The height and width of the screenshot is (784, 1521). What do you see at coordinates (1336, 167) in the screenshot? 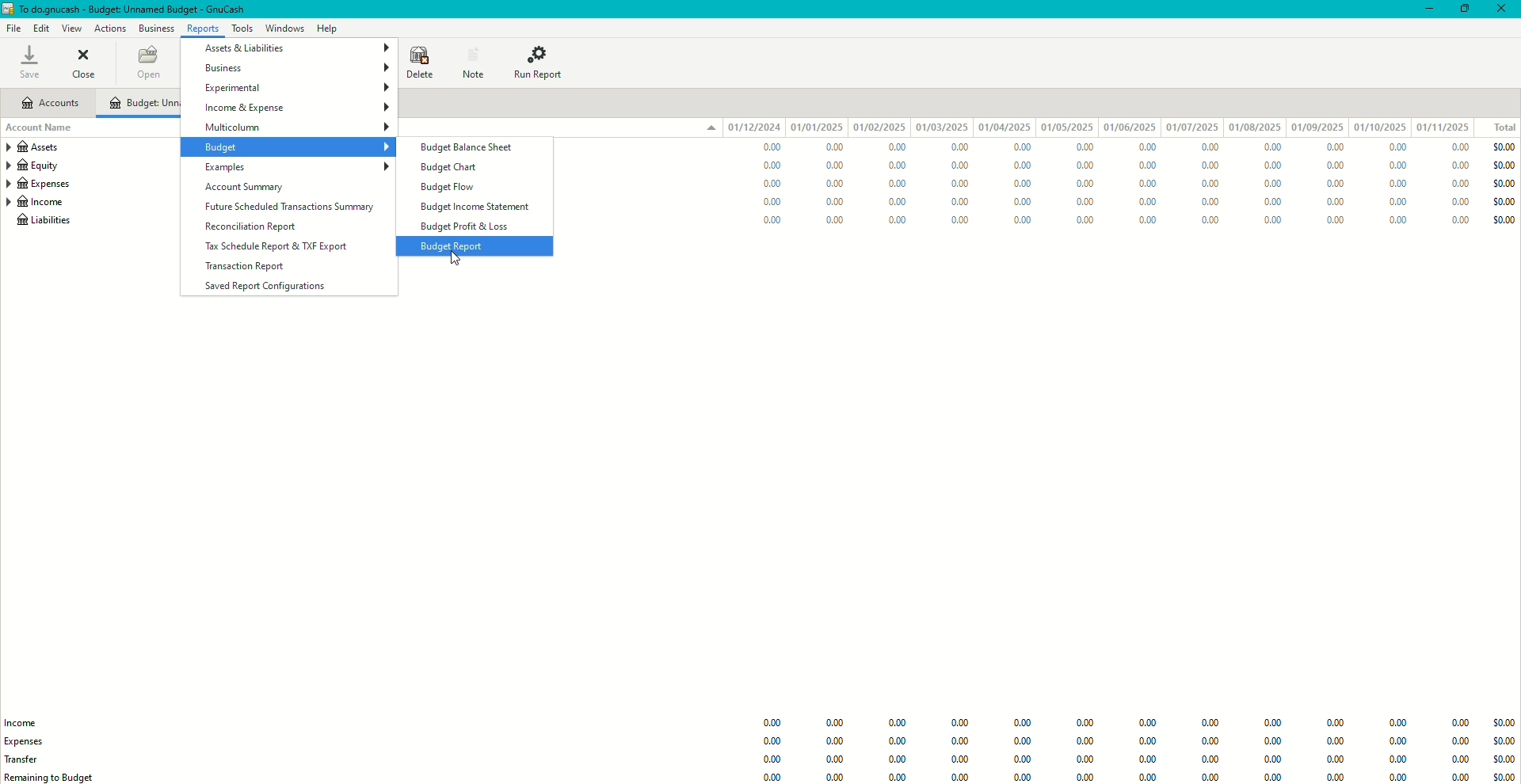
I see `0.00` at bounding box center [1336, 167].